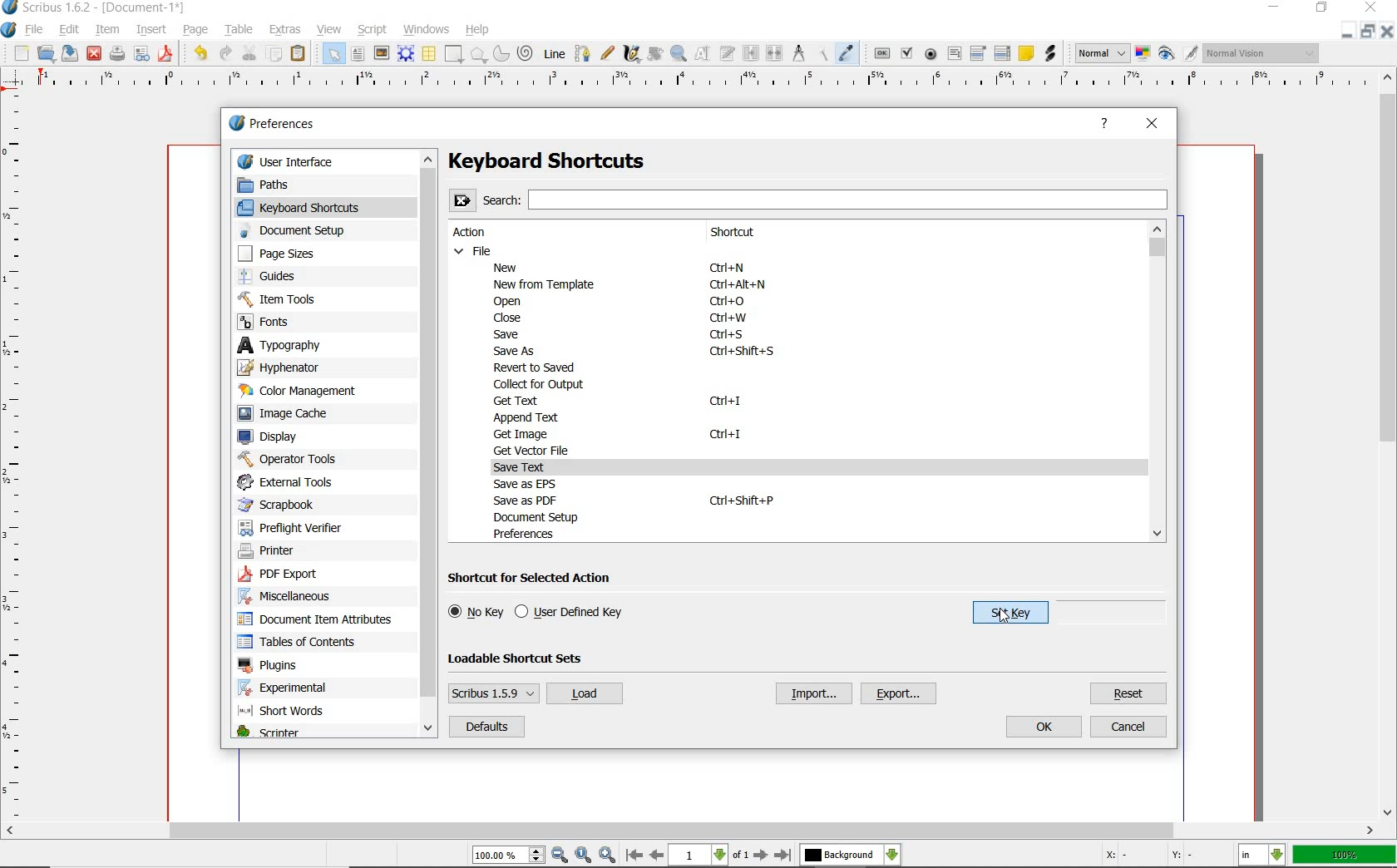  What do you see at coordinates (900, 694) in the screenshot?
I see `export` at bounding box center [900, 694].